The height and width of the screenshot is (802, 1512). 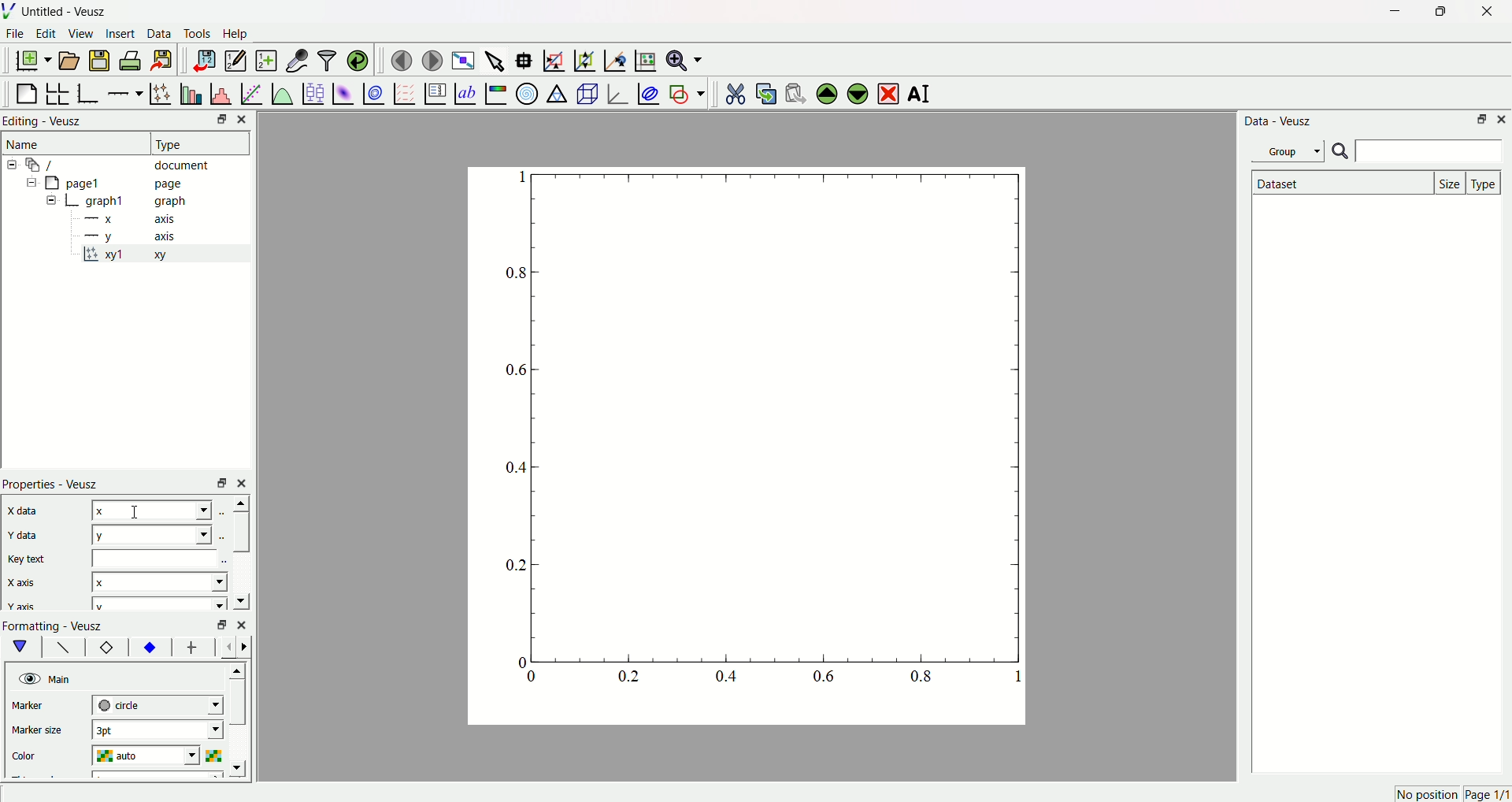 I want to click on cut the widgets, so click(x=735, y=91).